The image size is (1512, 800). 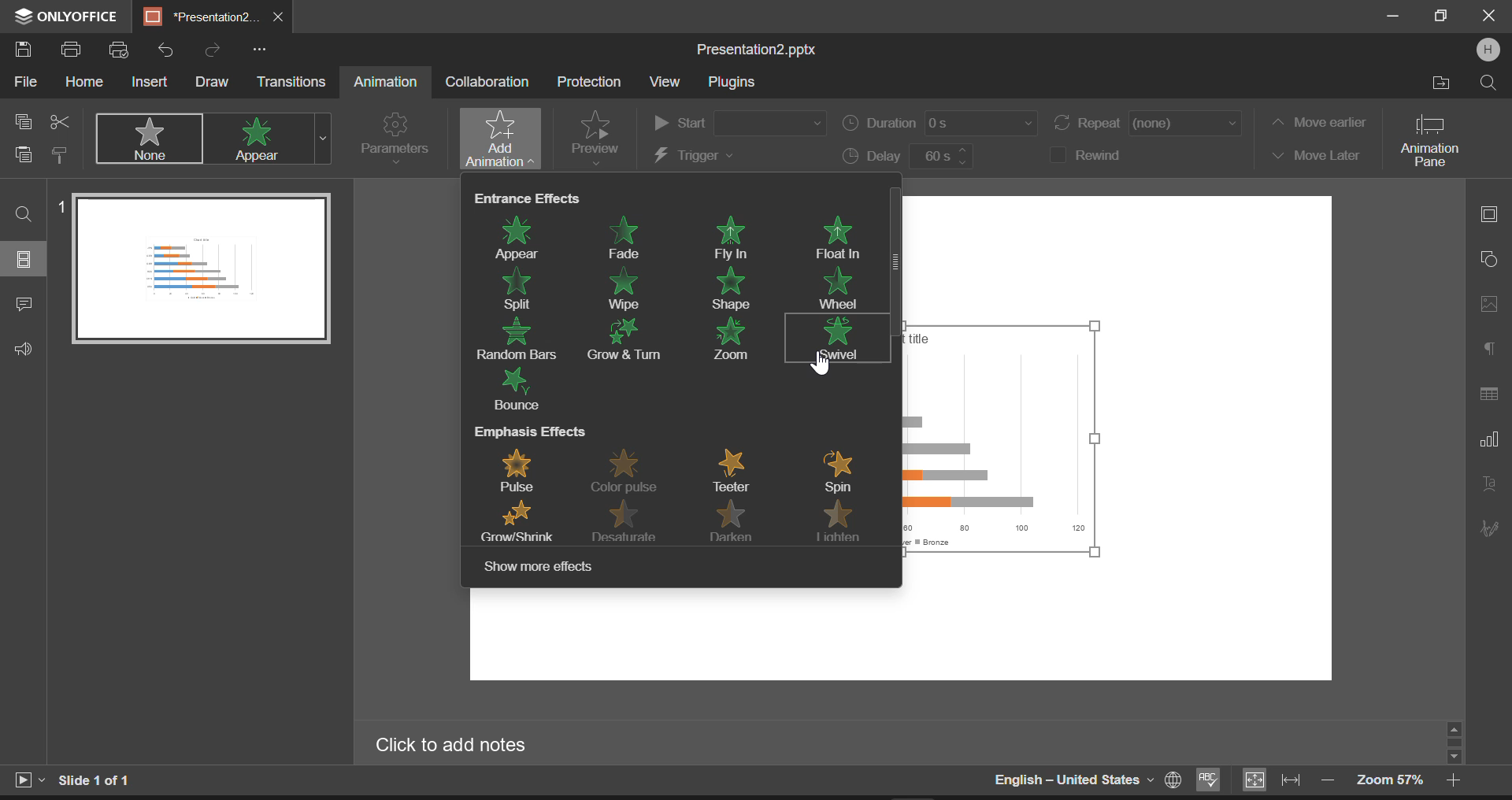 I want to click on Bounce, so click(x=520, y=391).